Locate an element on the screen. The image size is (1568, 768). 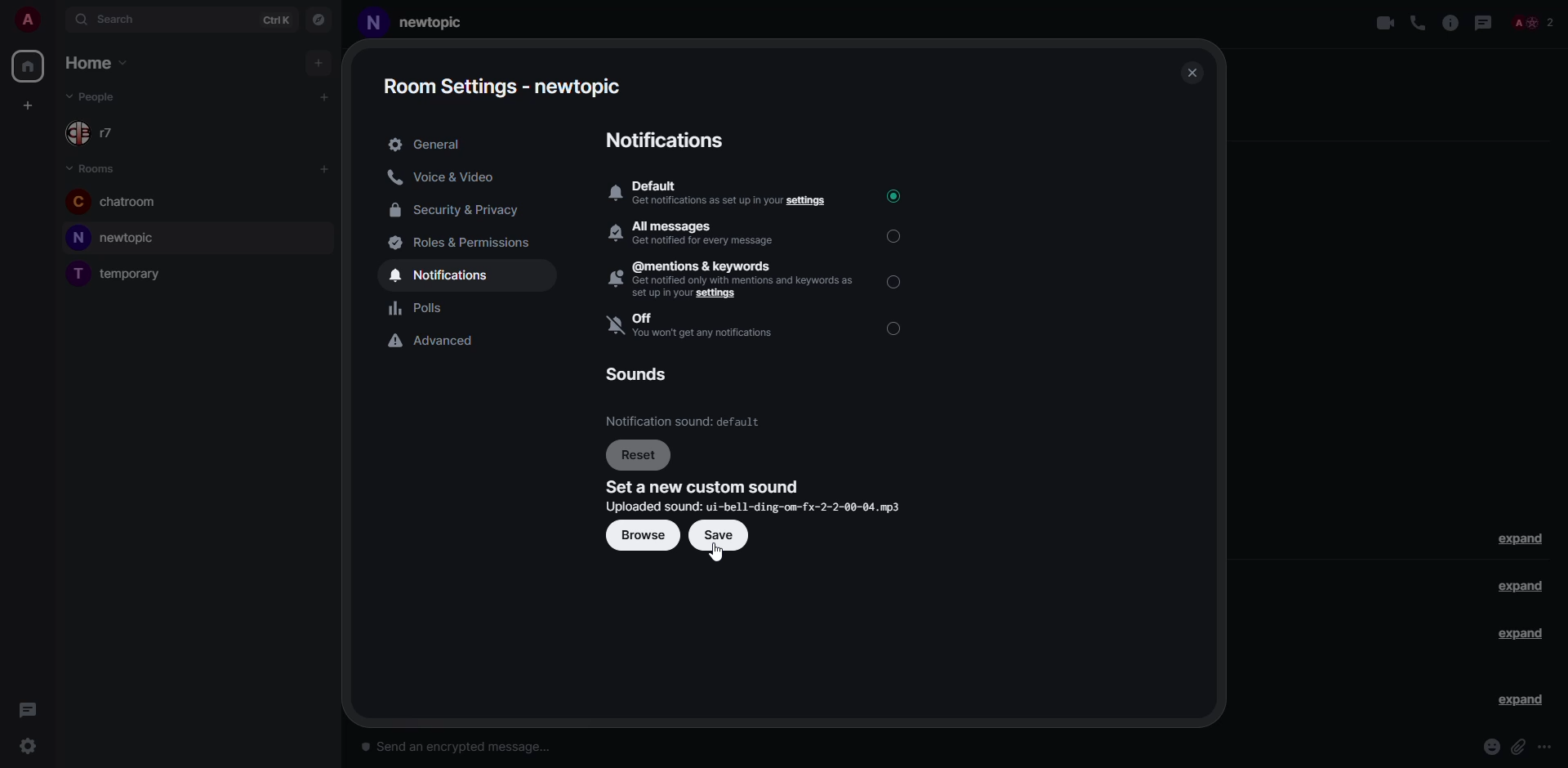
Uploaded sound: ui-bell-ding-om-fx-2-2-00-04.mp3 is located at coordinates (753, 507).